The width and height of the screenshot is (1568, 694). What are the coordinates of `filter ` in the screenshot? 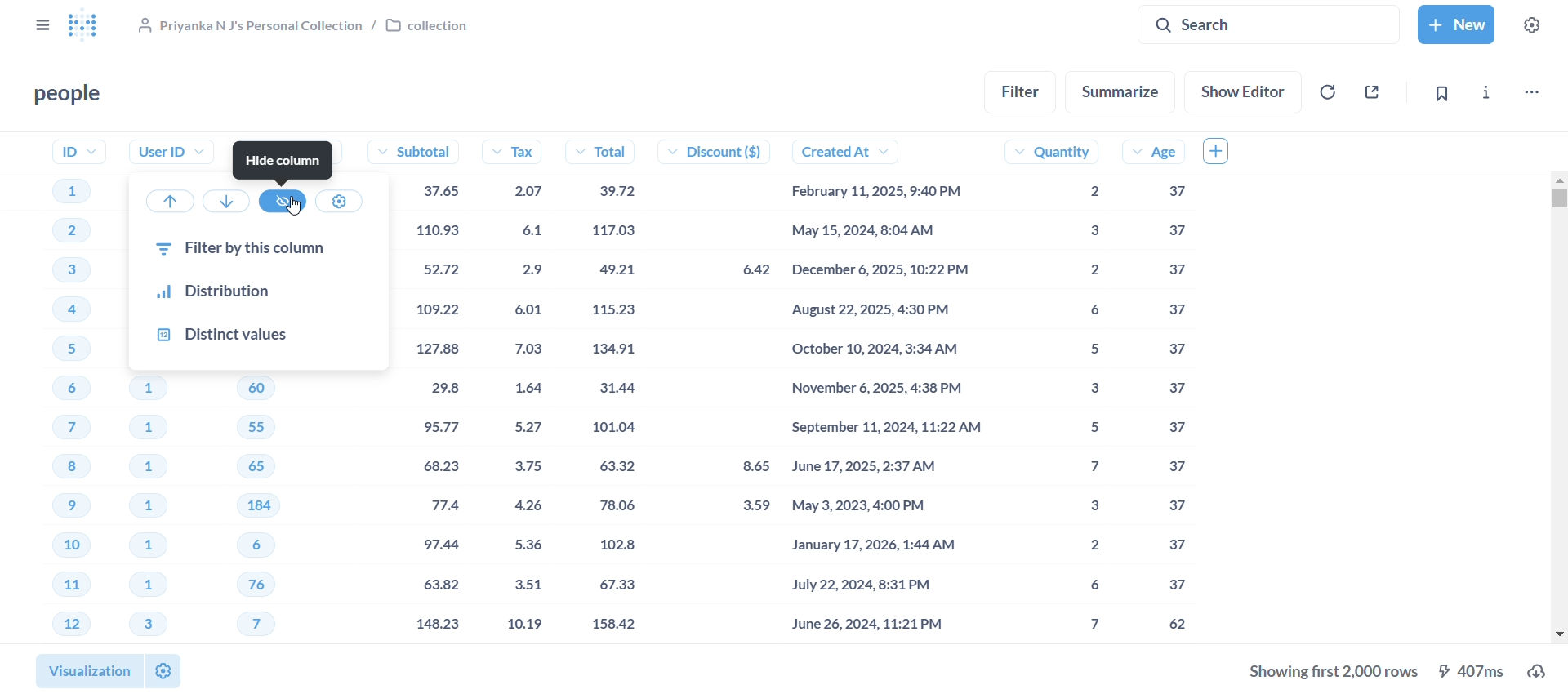 It's located at (1019, 91).